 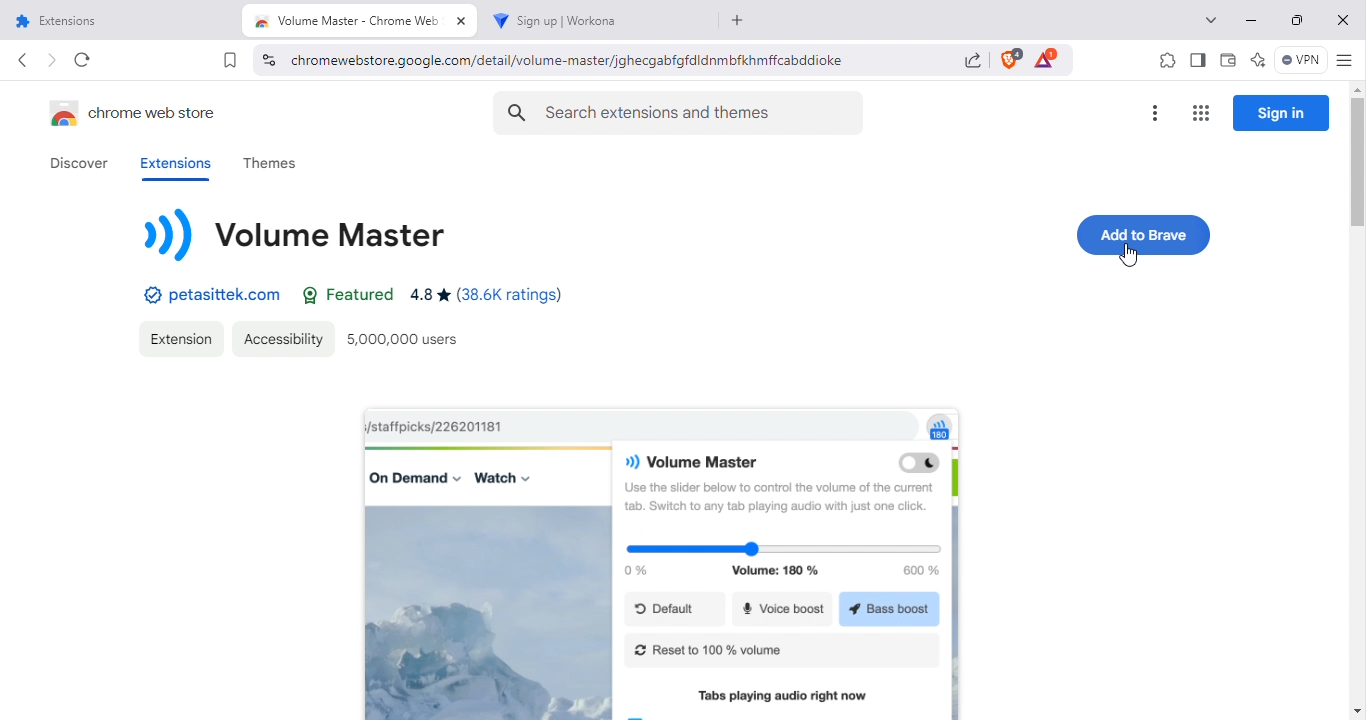 What do you see at coordinates (1145, 233) in the screenshot?
I see `Add to Brave` at bounding box center [1145, 233].